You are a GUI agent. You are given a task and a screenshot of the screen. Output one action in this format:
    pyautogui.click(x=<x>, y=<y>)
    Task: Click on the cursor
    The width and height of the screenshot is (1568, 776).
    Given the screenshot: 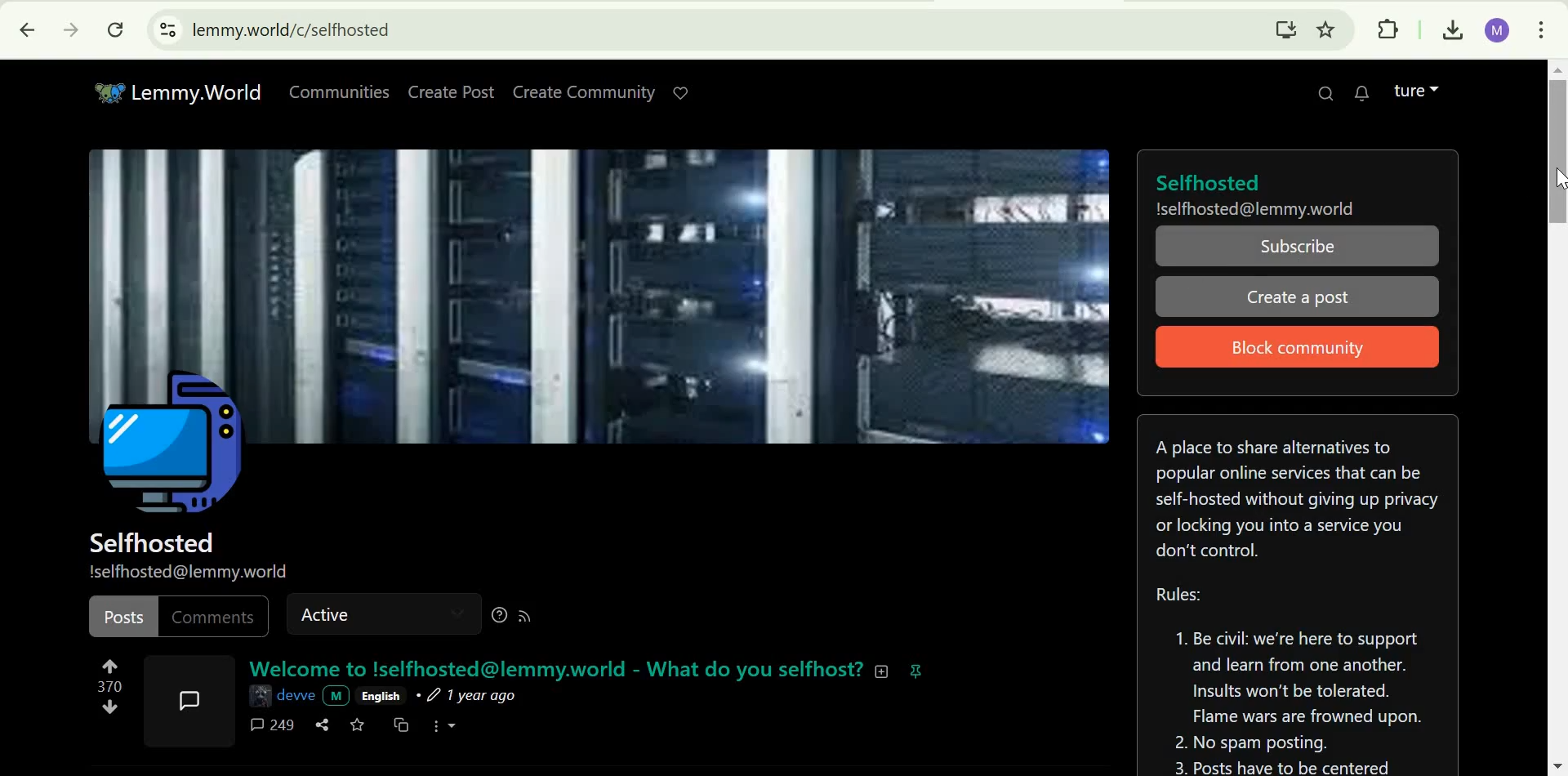 What is the action you would take?
    pyautogui.click(x=1558, y=184)
    